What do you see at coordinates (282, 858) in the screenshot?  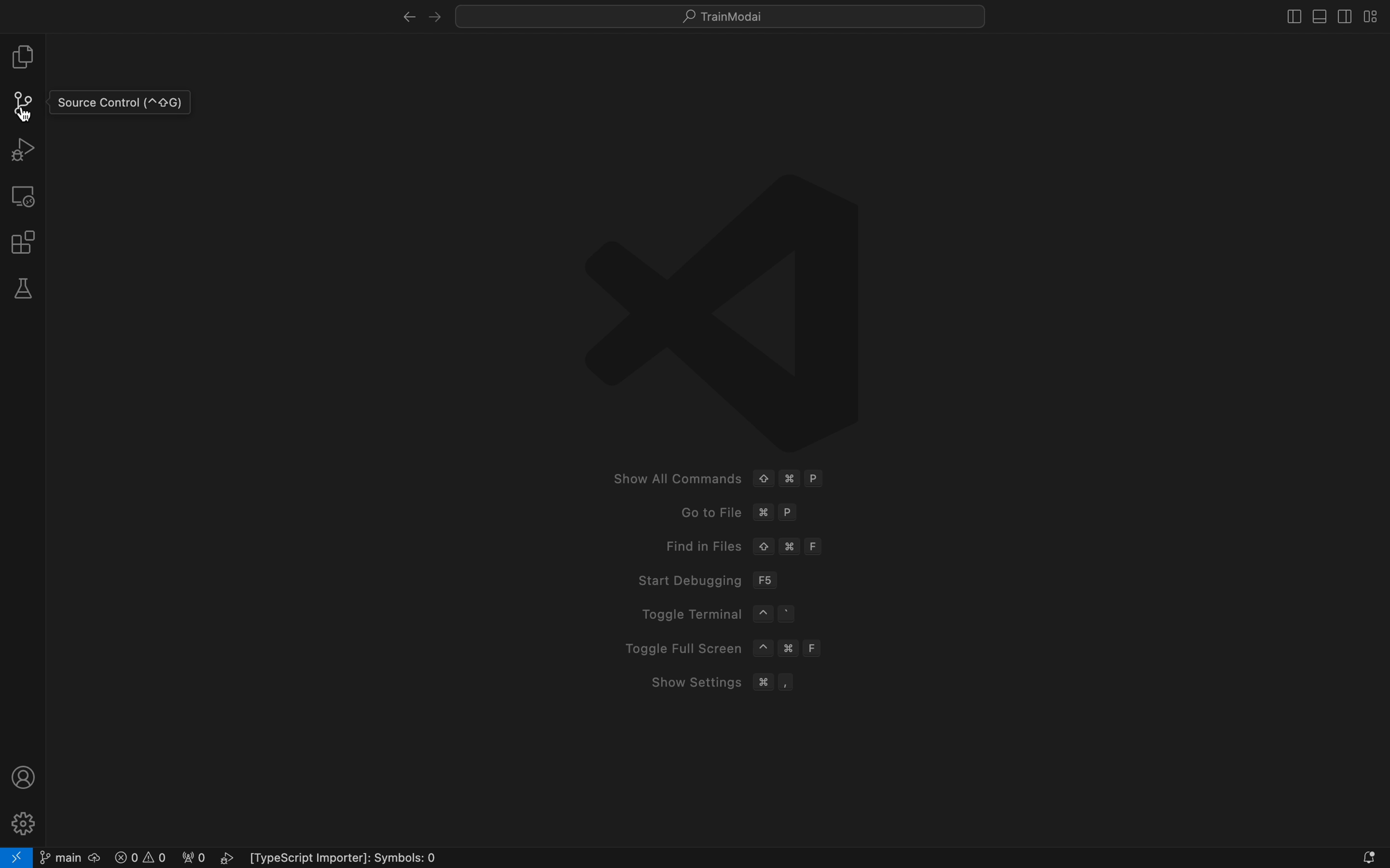 I see `error logs` at bounding box center [282, 858].